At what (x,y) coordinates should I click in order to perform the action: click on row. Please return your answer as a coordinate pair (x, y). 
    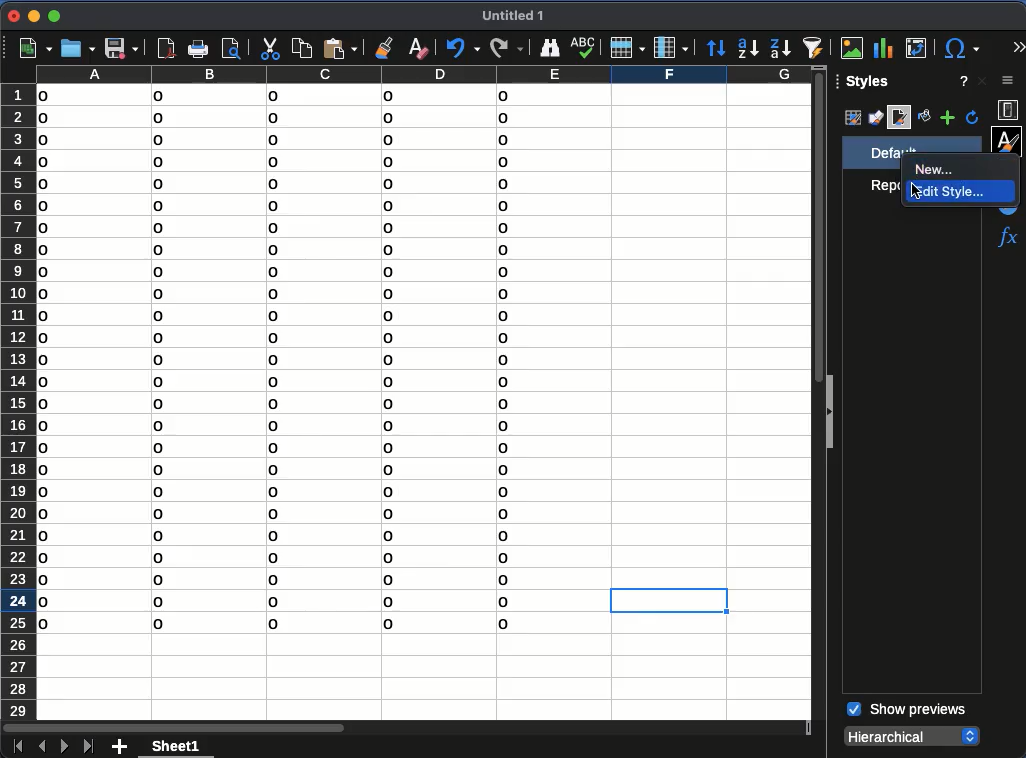
    Looking at the image, I should click on (628, 48).